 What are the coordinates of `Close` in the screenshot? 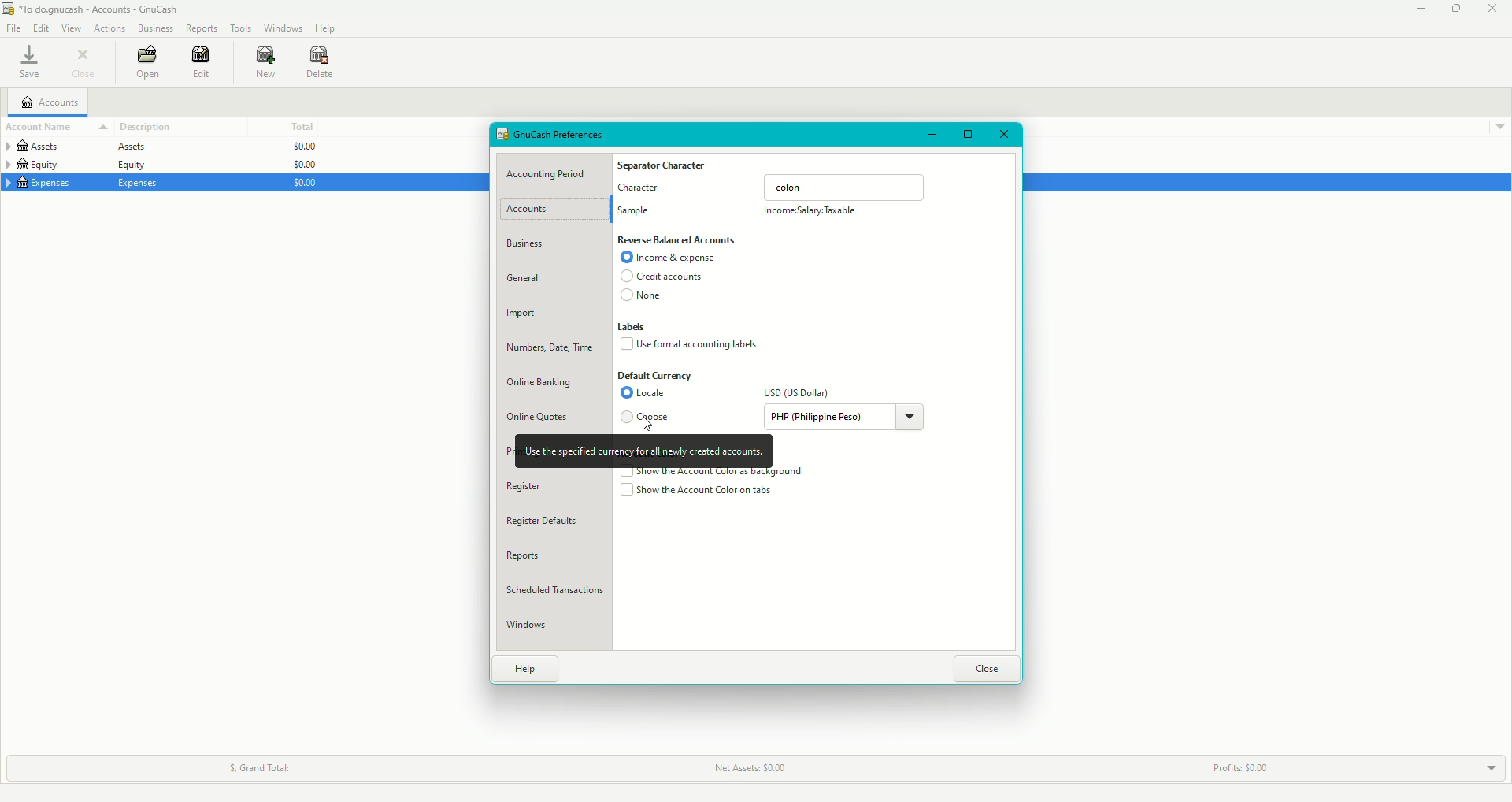 It's located at (1003, 136).